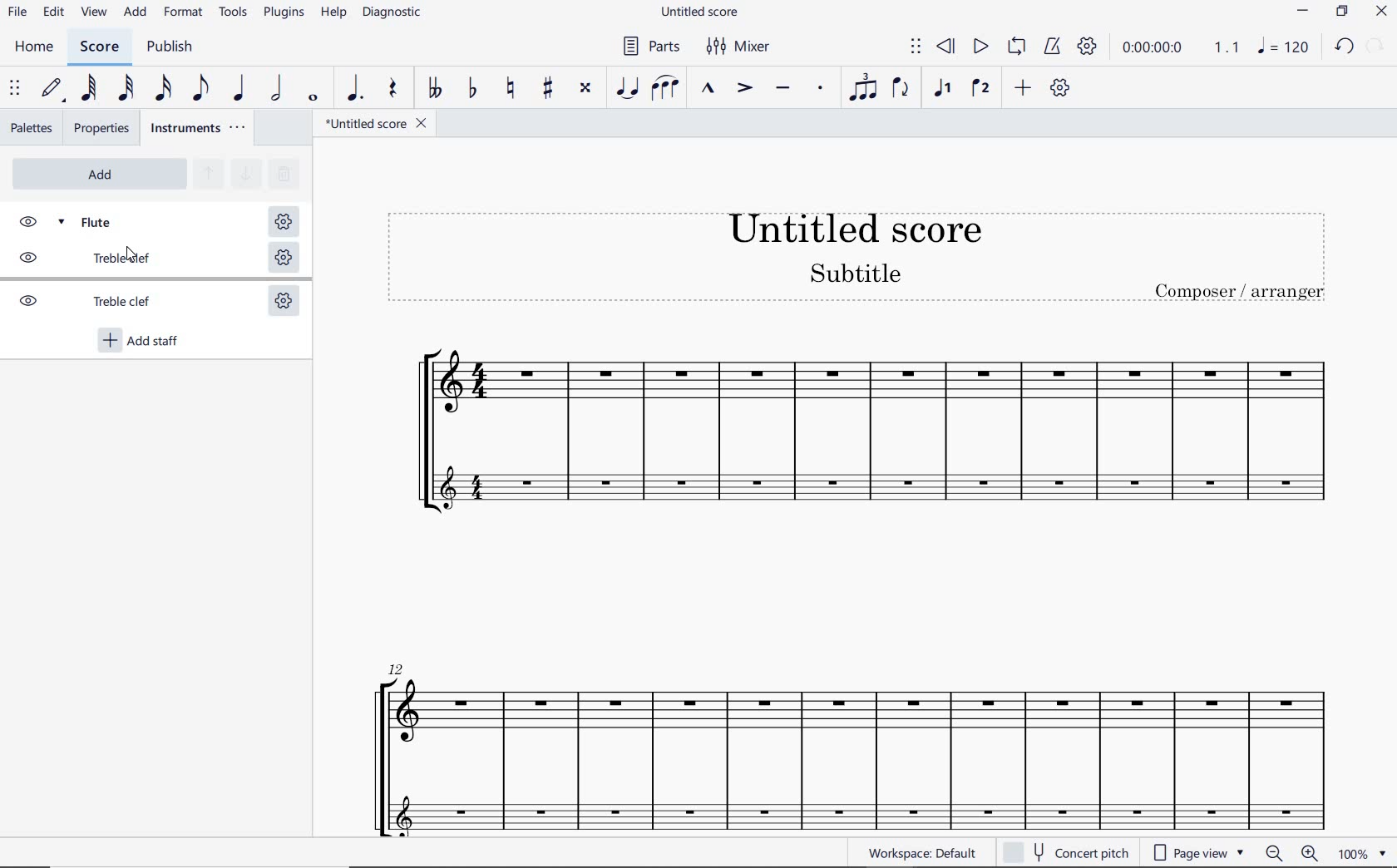 The height and width of the screenshot is (868, 1397). Describe the element at coordinates (740, 49) in the screenshot. I see `MIXER` at that location.